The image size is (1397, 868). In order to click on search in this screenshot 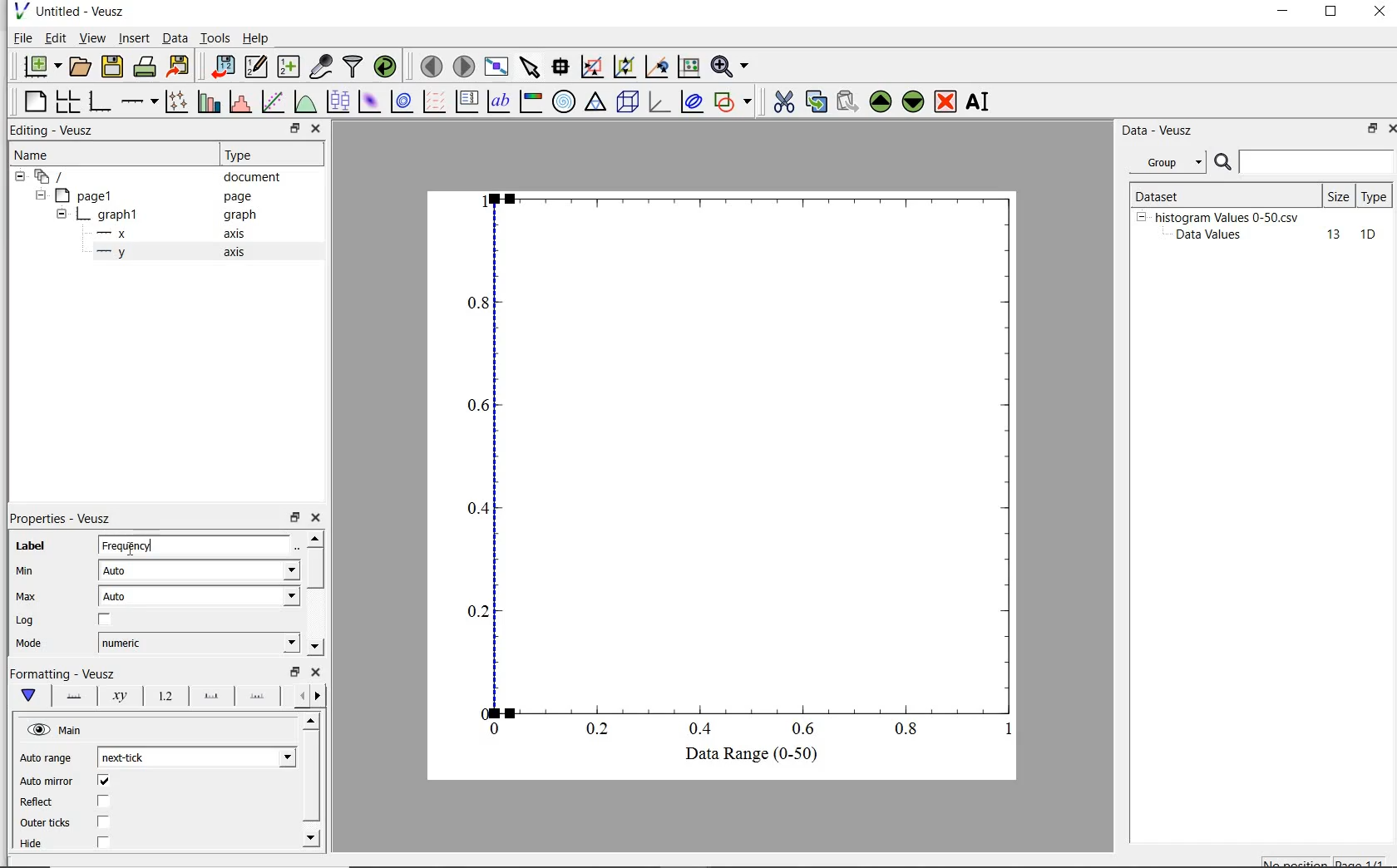, I will do `click(1224, 163)`.